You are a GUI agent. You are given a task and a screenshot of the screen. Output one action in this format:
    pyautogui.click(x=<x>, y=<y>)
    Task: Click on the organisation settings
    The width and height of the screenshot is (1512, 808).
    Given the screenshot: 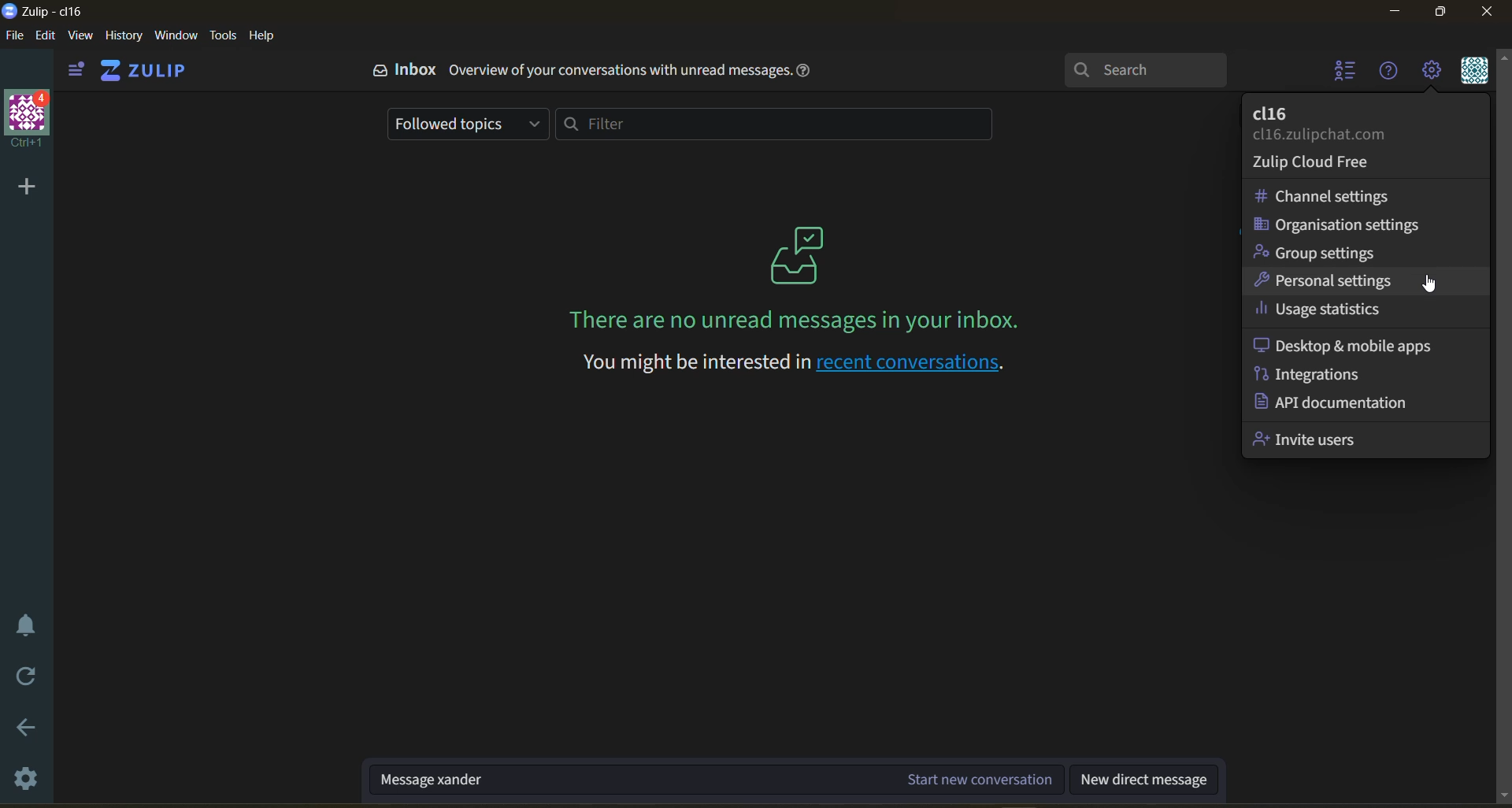 What is the action you would take?
    pyautogui.click(x=1342, y=226)
    